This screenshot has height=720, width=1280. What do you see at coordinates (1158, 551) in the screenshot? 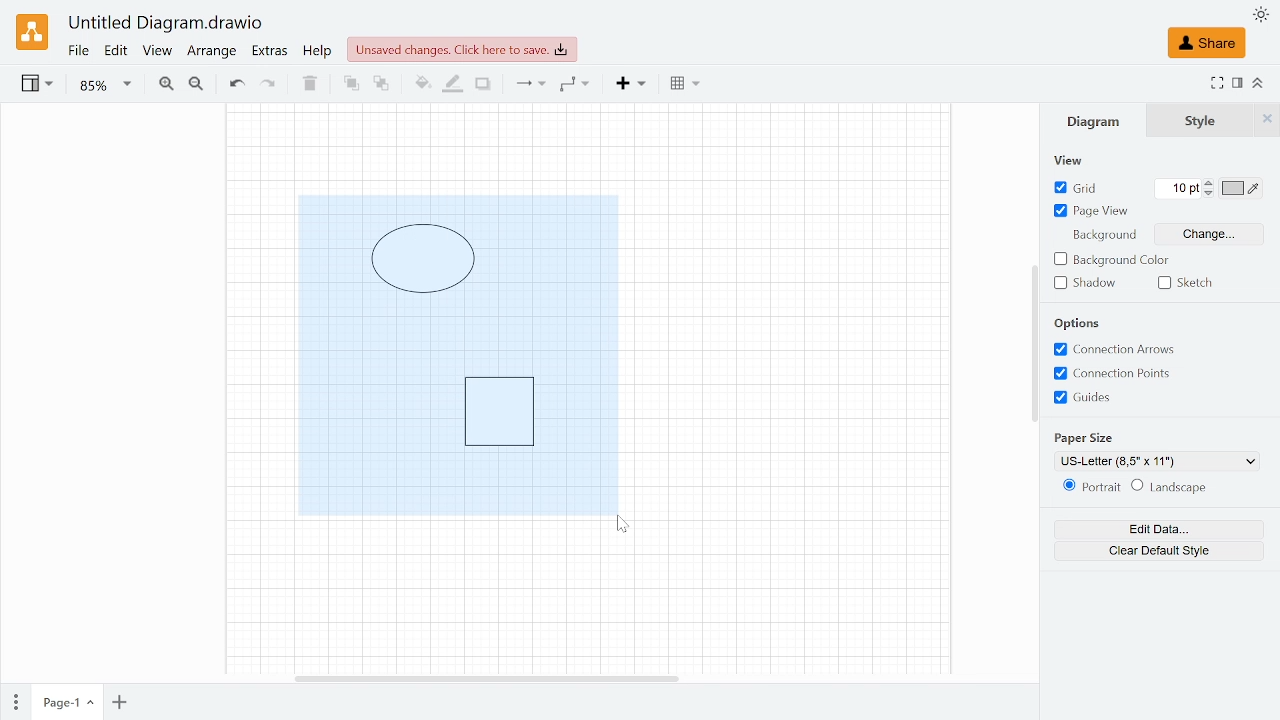
I see `Clear default style` at bounding box center [1158, 551].